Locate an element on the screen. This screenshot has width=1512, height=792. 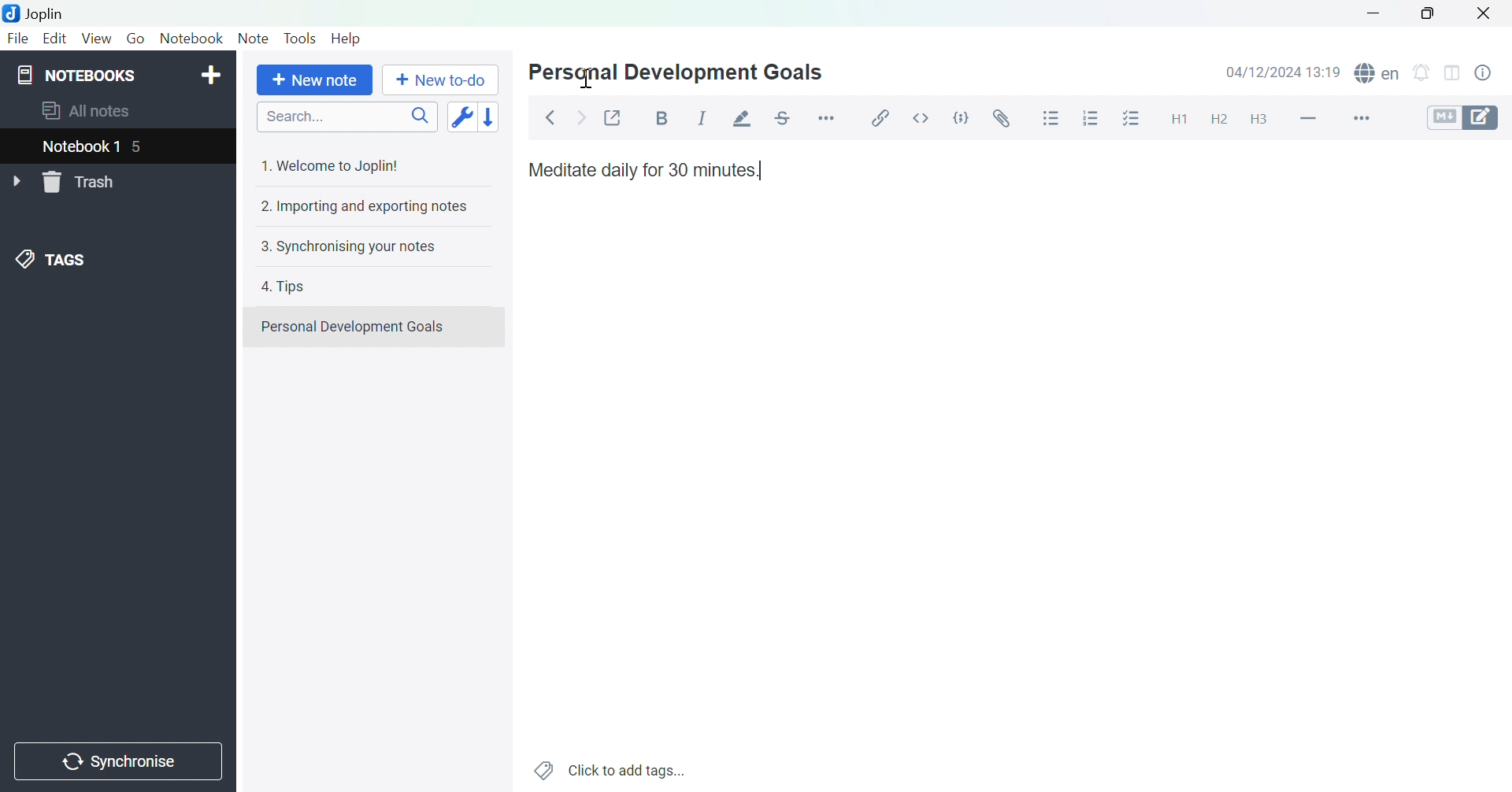
Toggle sort order field is located at coordinates (460, 116).